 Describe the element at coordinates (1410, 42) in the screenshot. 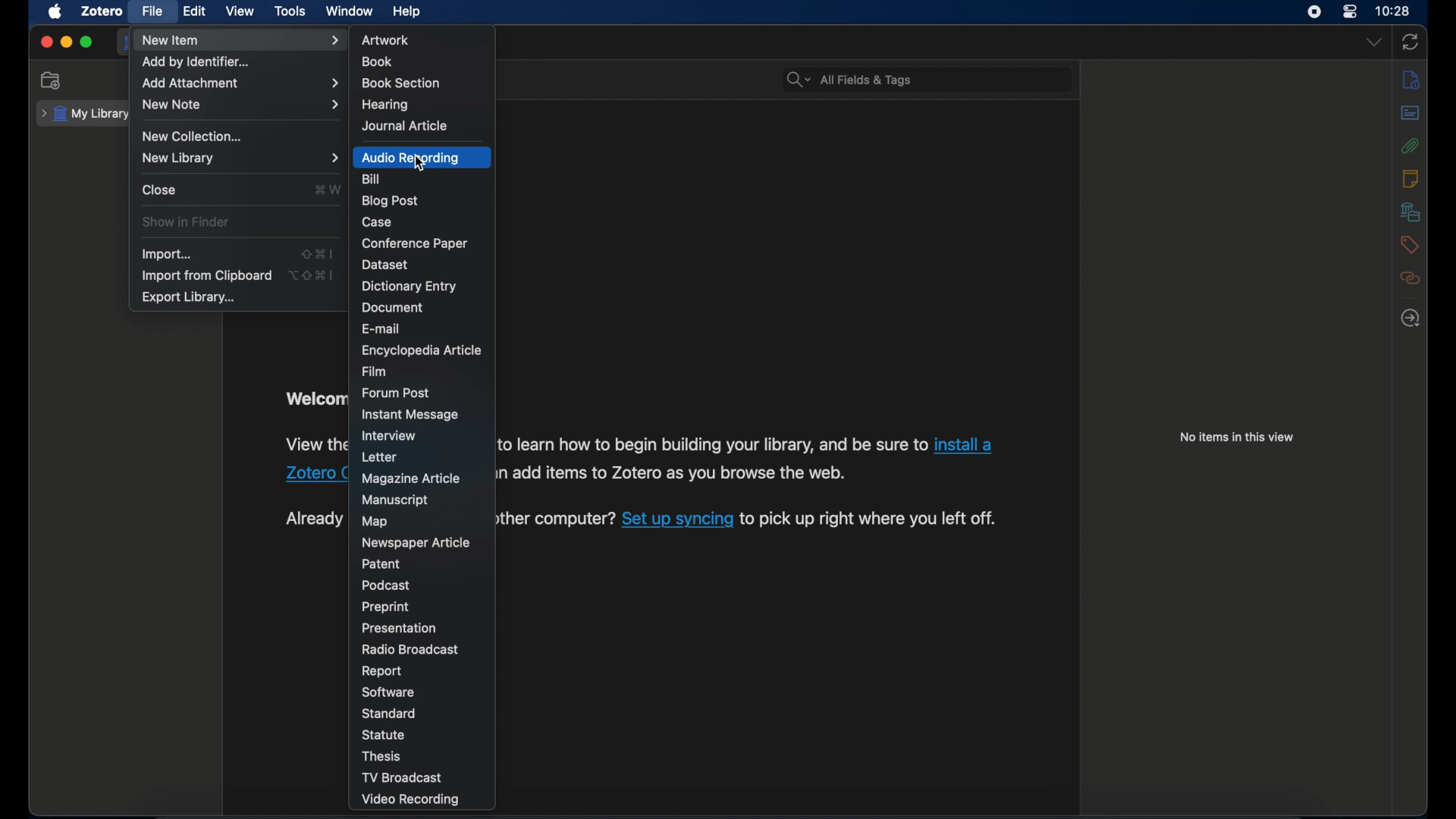

I see `sync` at that location.